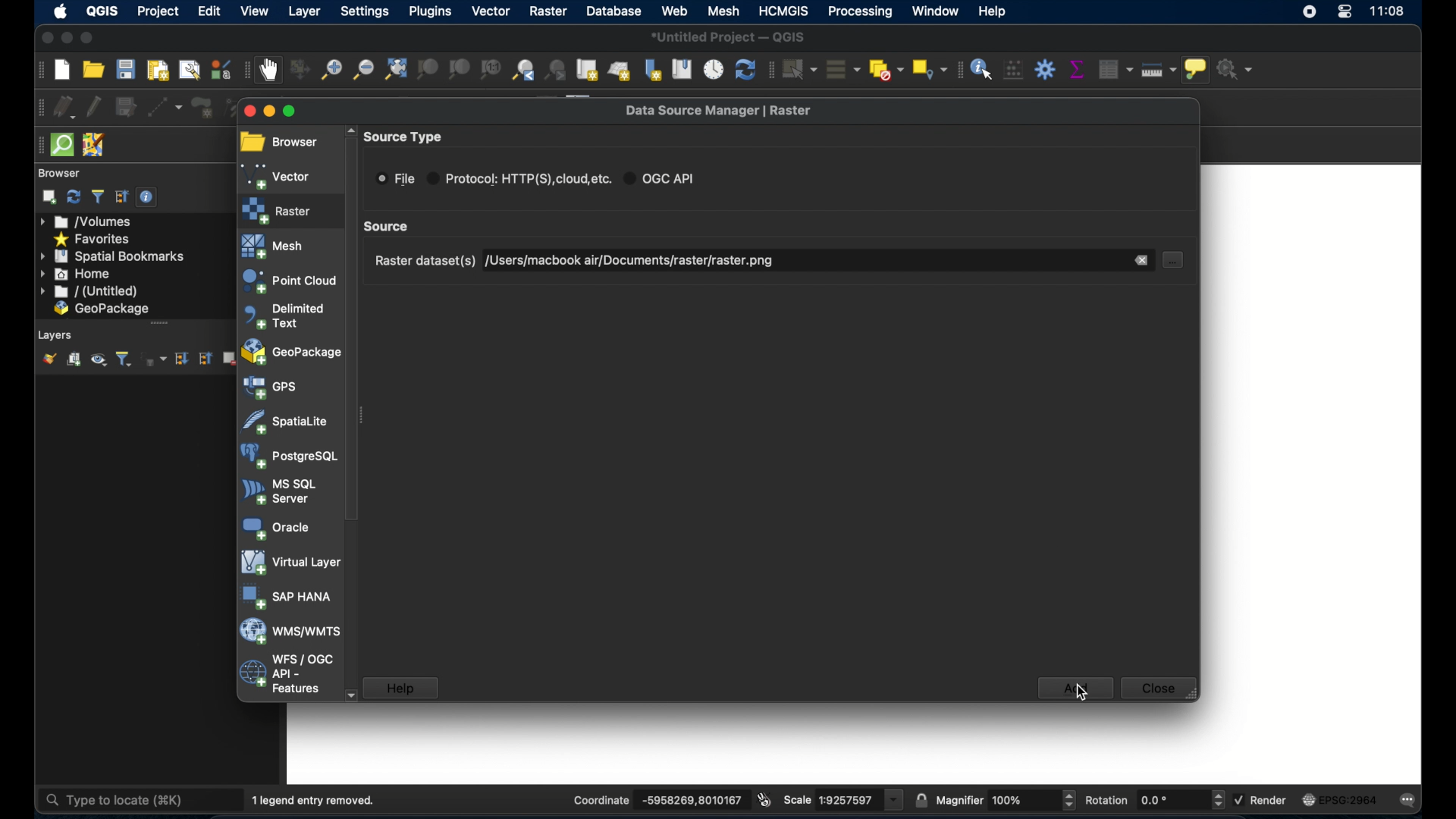 The image size is (1456, 819). I want to click on toggle extents and mouse position display, so click(766, 799).